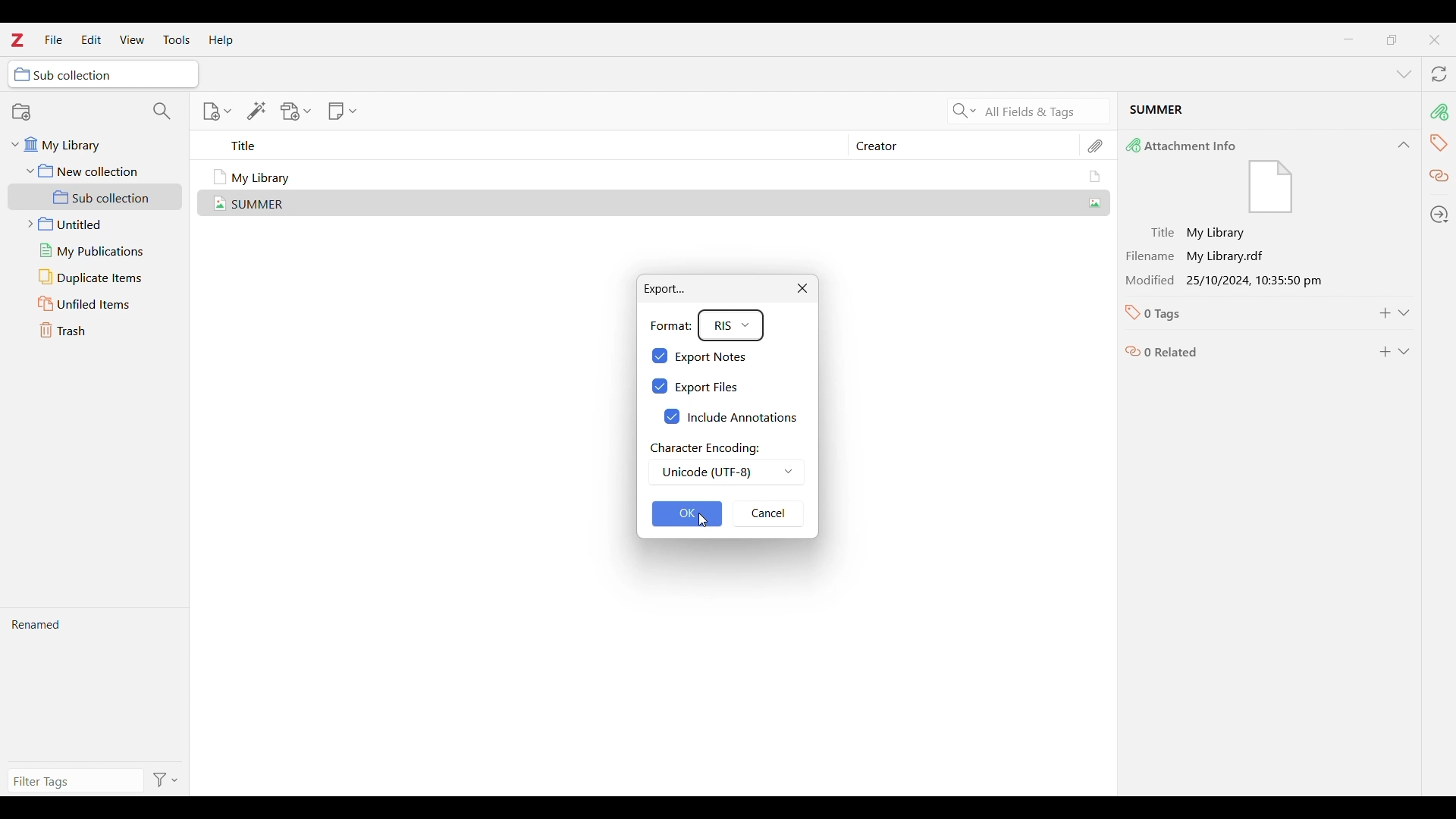 Image resolution: width=1456 pixels, height=819 pixels. What do you see at coordinates (168, 780) in the screenshot?
I see `Filter` at bounding box center [168, 780].